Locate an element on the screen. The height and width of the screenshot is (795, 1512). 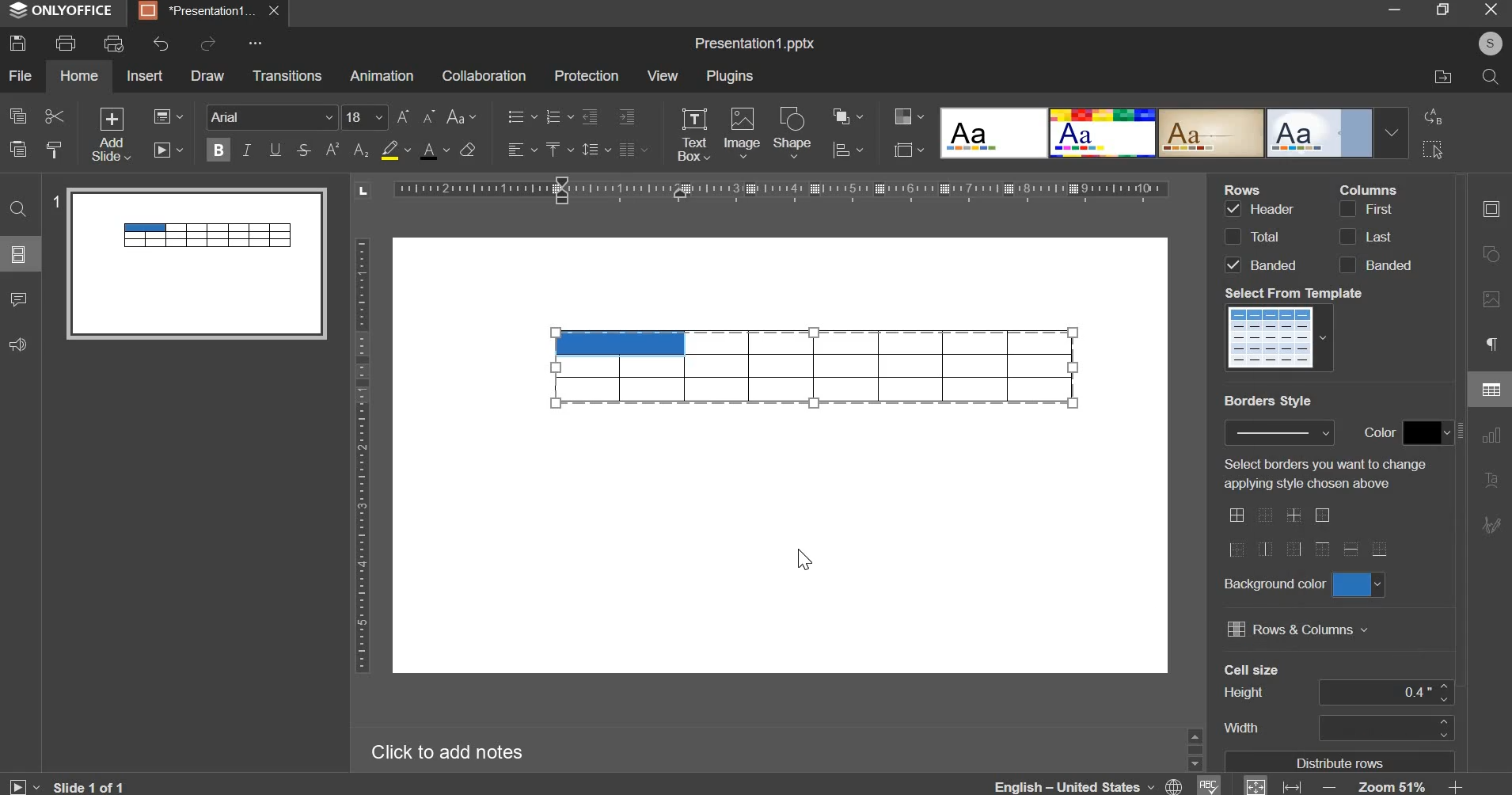
More is located at coordinates (253, 44).